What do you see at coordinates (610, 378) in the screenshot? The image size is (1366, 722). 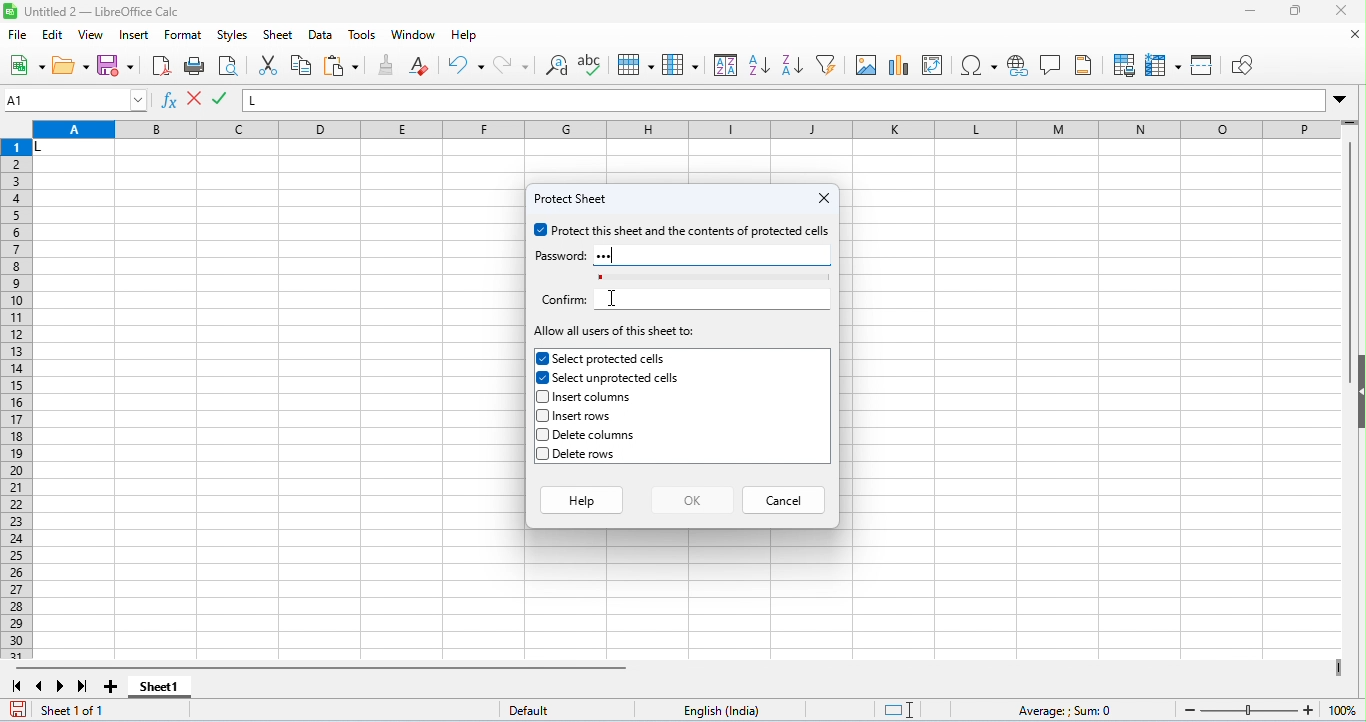 I see `select unprotected cells` at bounding box center [610, 378].